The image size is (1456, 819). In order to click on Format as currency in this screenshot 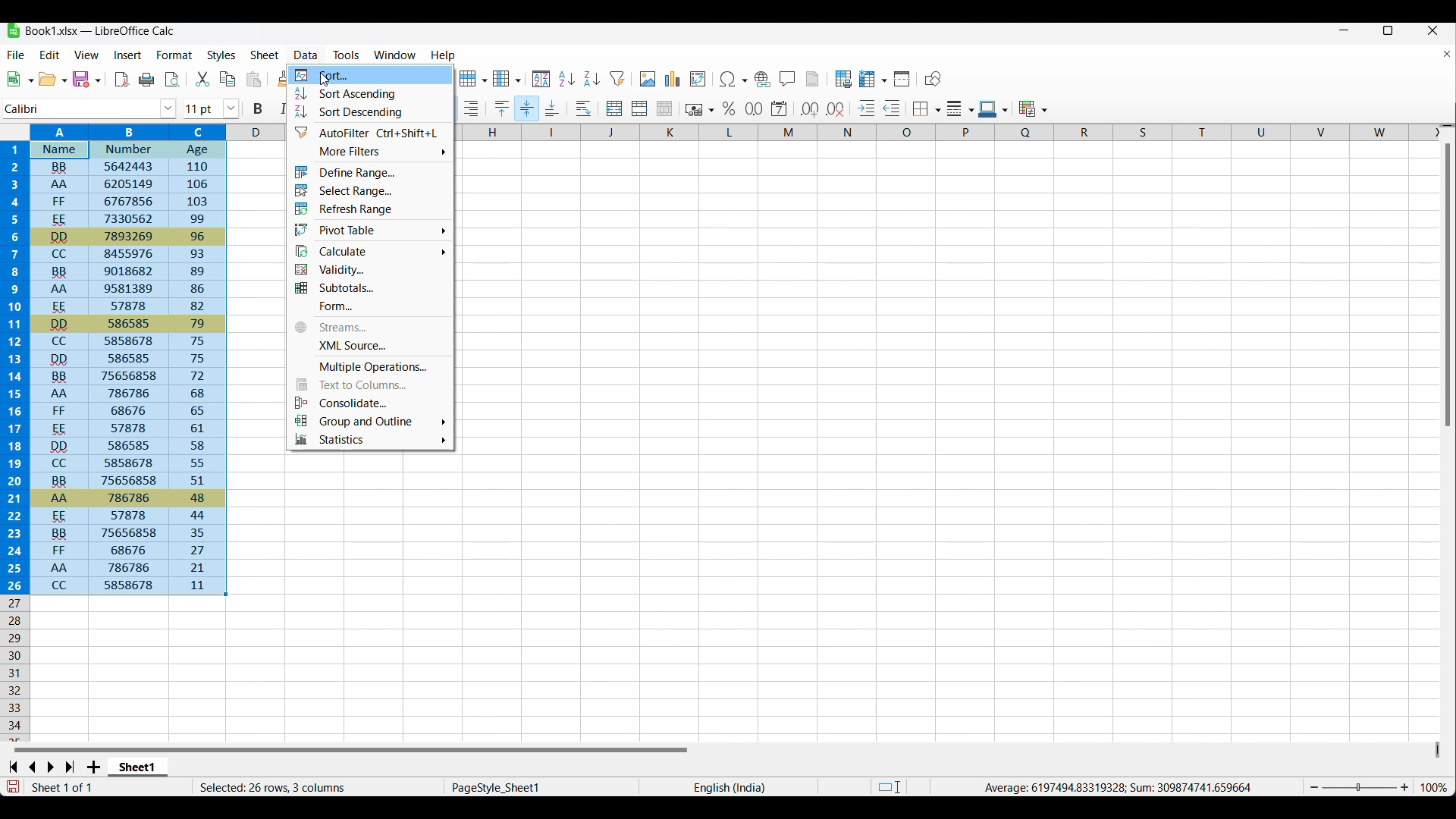, I will do `click(698, 109)`.